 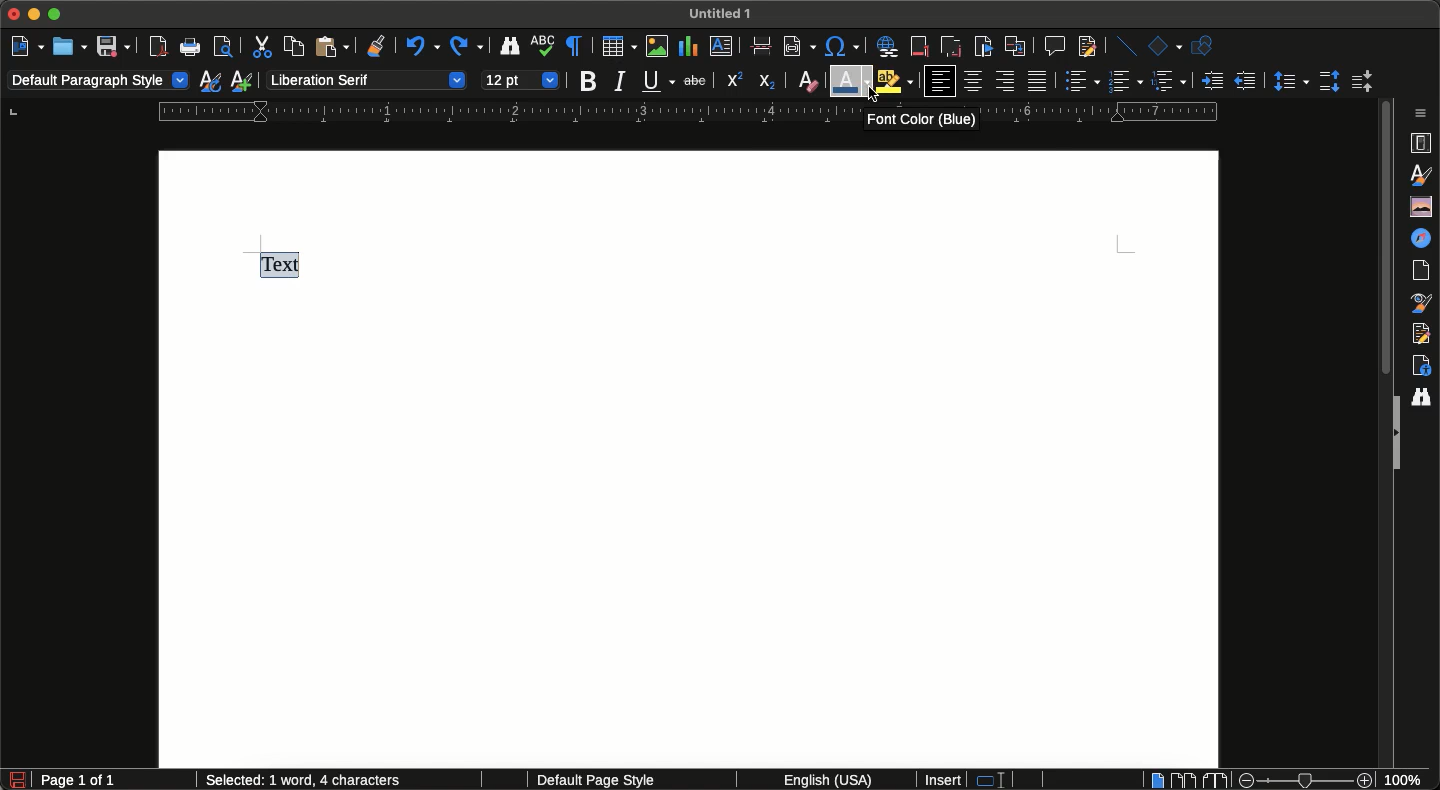 I want to click on Zoom bar, so click(x=1304, y=780).